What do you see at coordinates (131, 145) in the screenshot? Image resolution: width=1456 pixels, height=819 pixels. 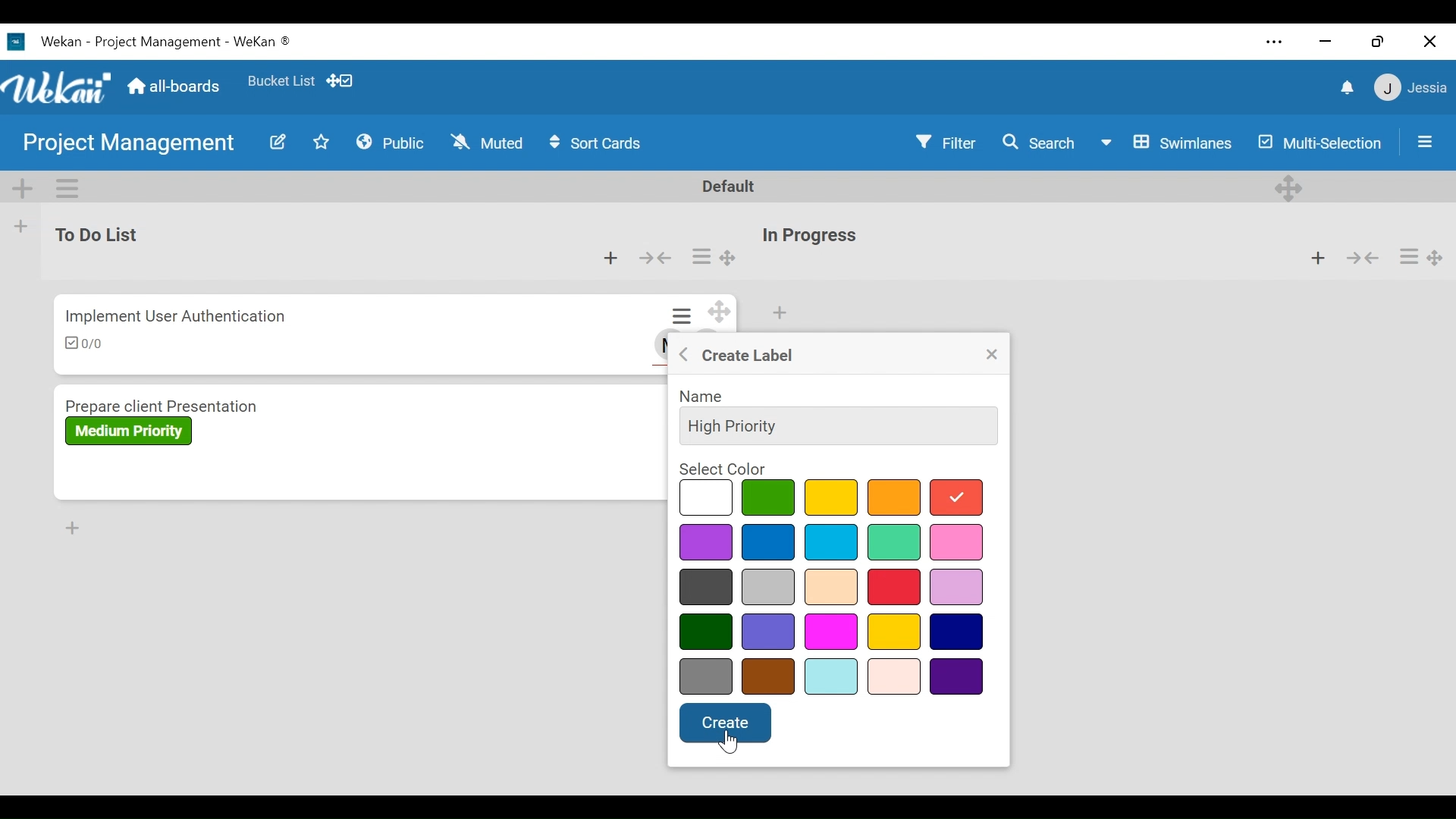 I see `Board Name` at bounding box center [131, 145].